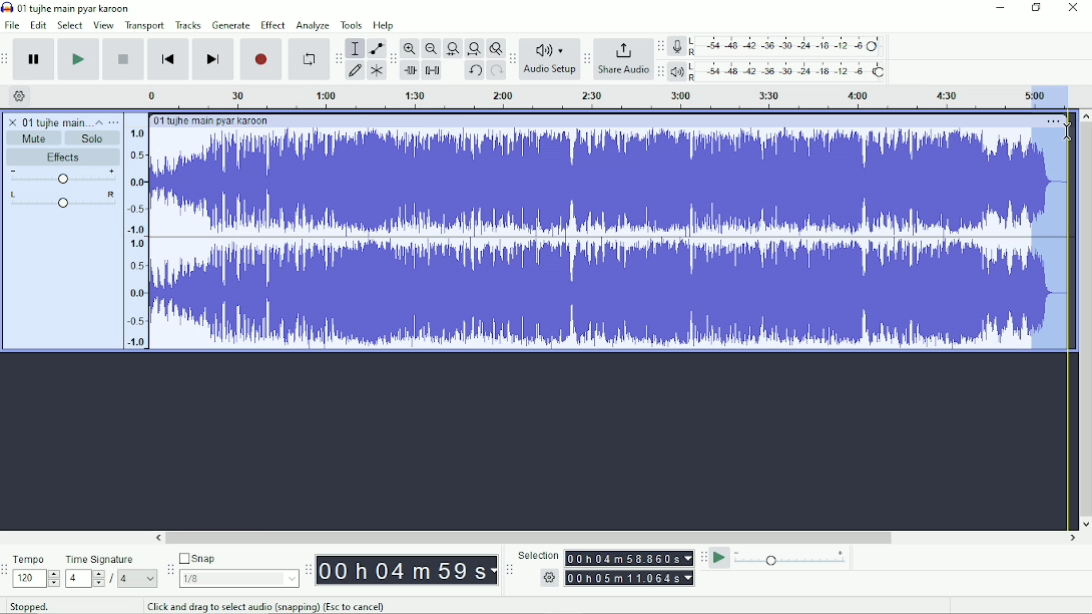 The image size is (1092, 614). Describe the element at coordinates (721, 558) in the screenshot. I see `Play-at-speed` at that location.